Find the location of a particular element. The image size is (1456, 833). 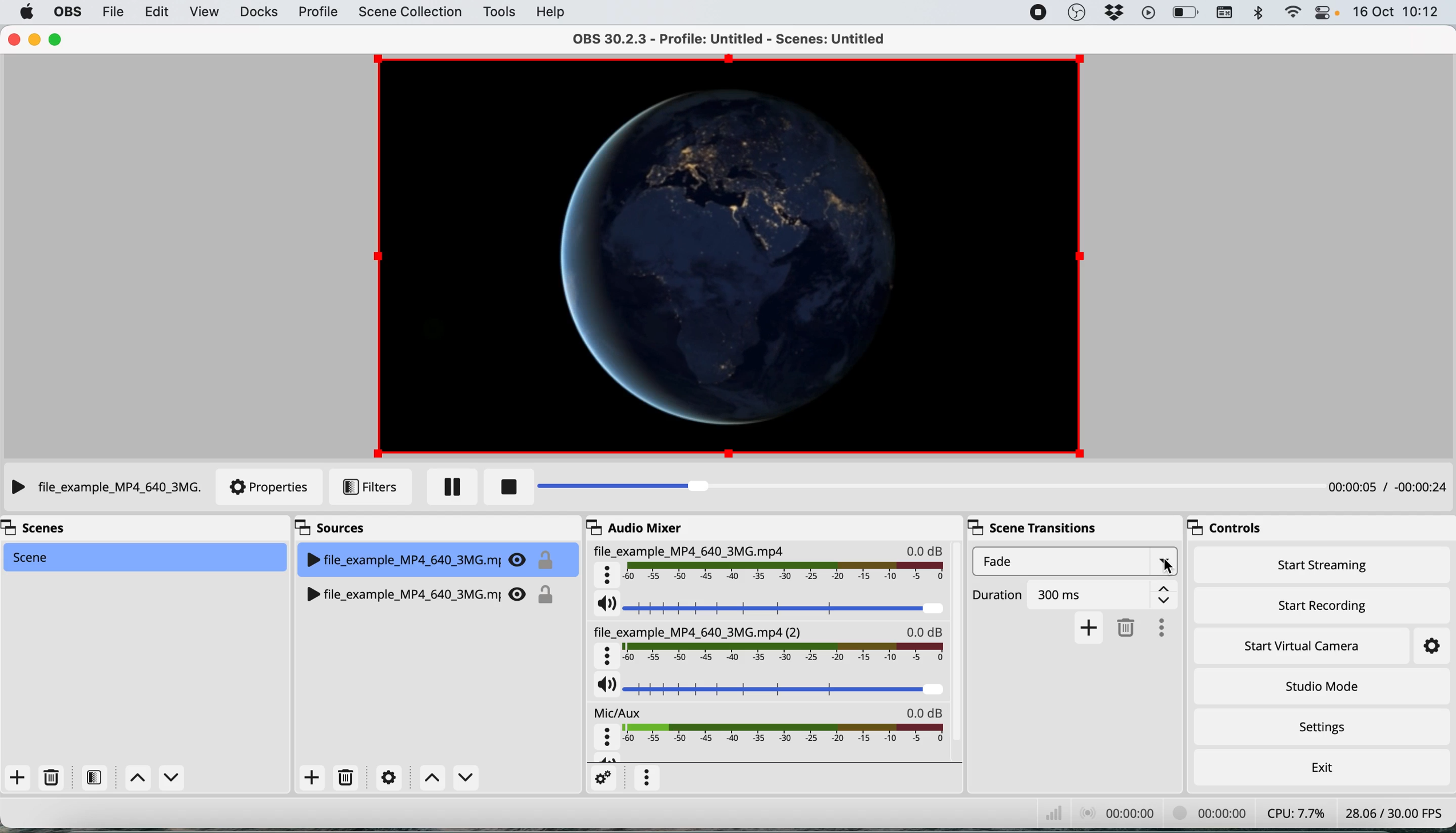

CPU: 7.7% is located at coordinates (1292, 812).